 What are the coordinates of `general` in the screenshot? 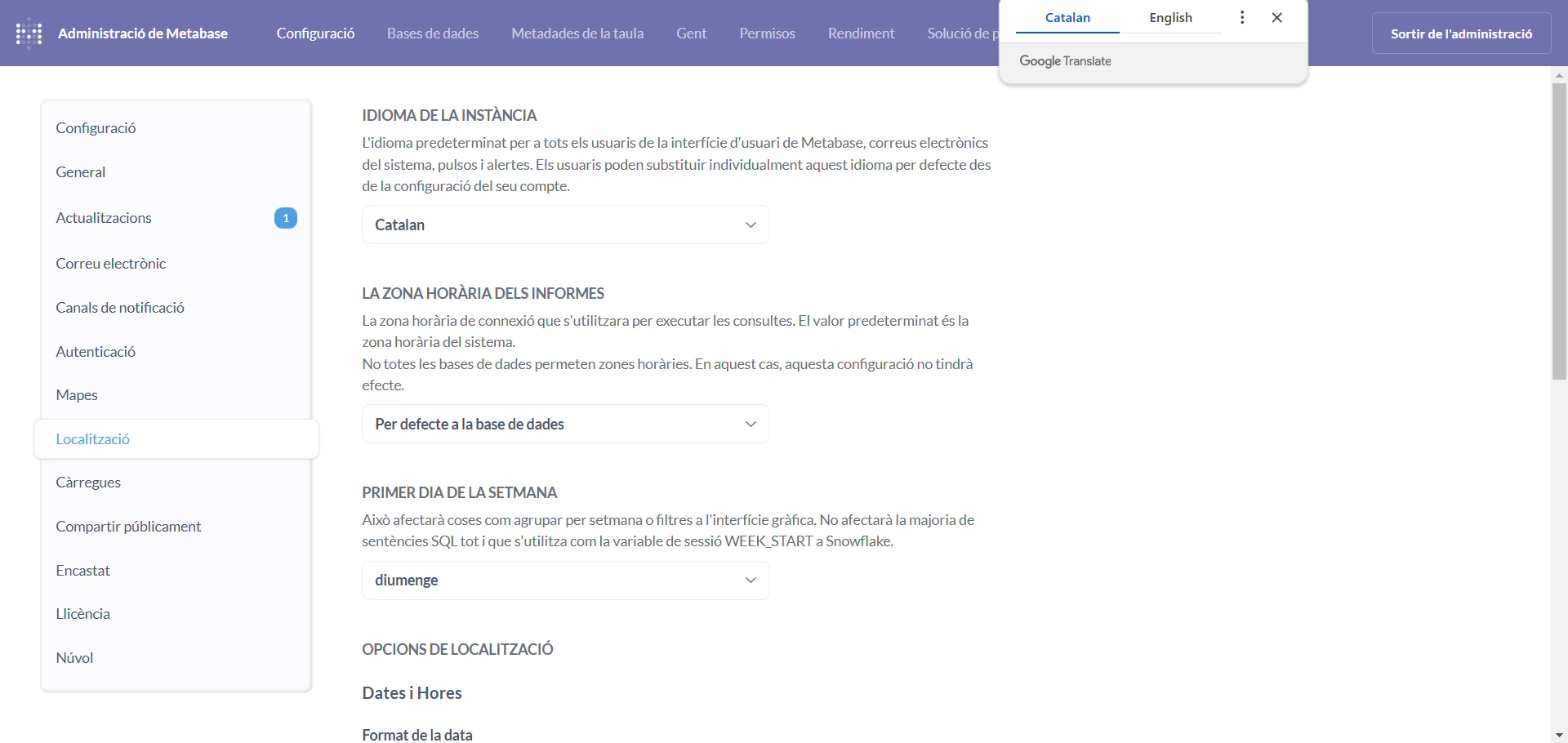 It's located at (171, 174).